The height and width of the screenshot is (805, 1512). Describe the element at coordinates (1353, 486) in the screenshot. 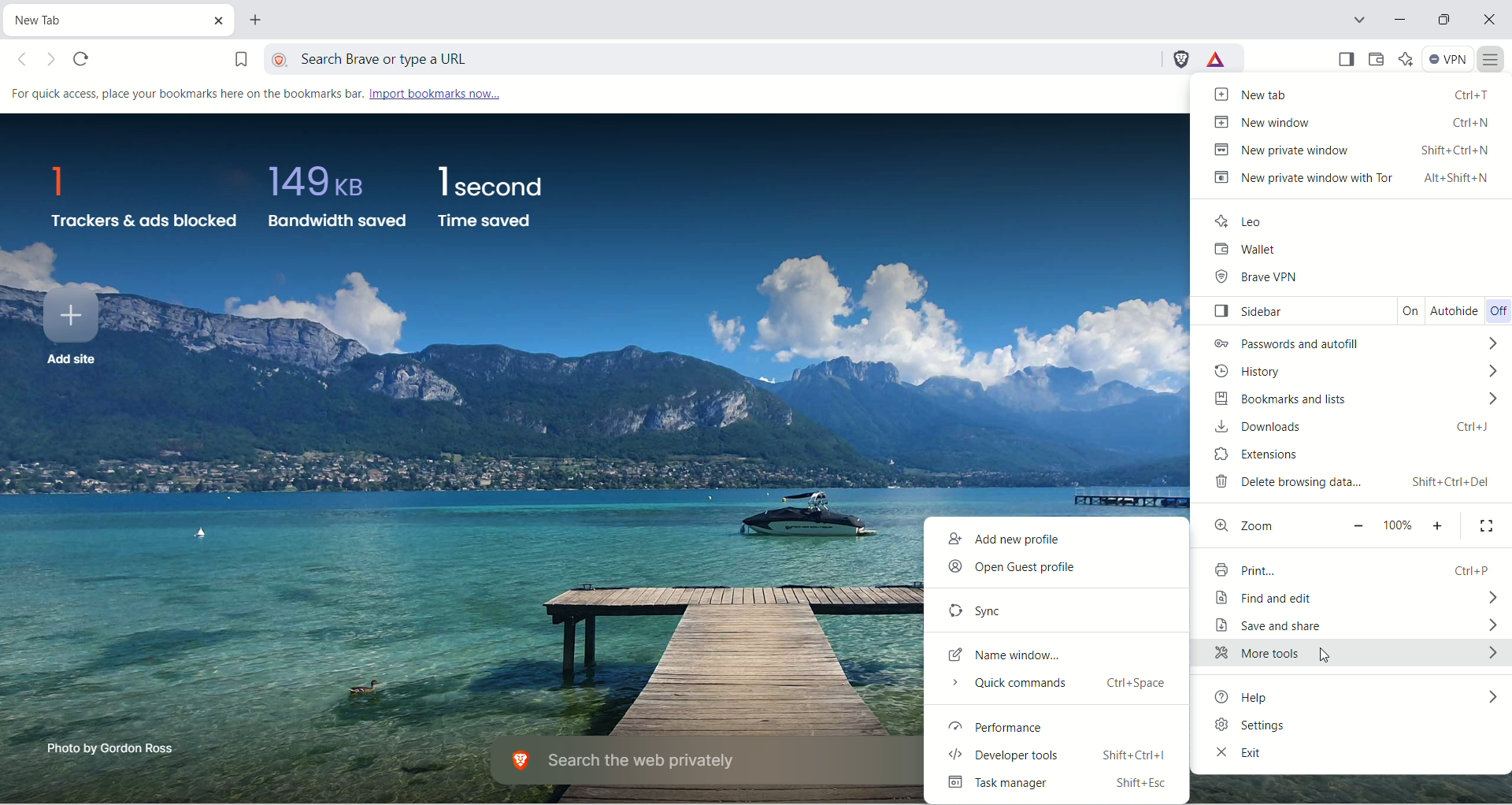

I see `delete browsing history` at that location.